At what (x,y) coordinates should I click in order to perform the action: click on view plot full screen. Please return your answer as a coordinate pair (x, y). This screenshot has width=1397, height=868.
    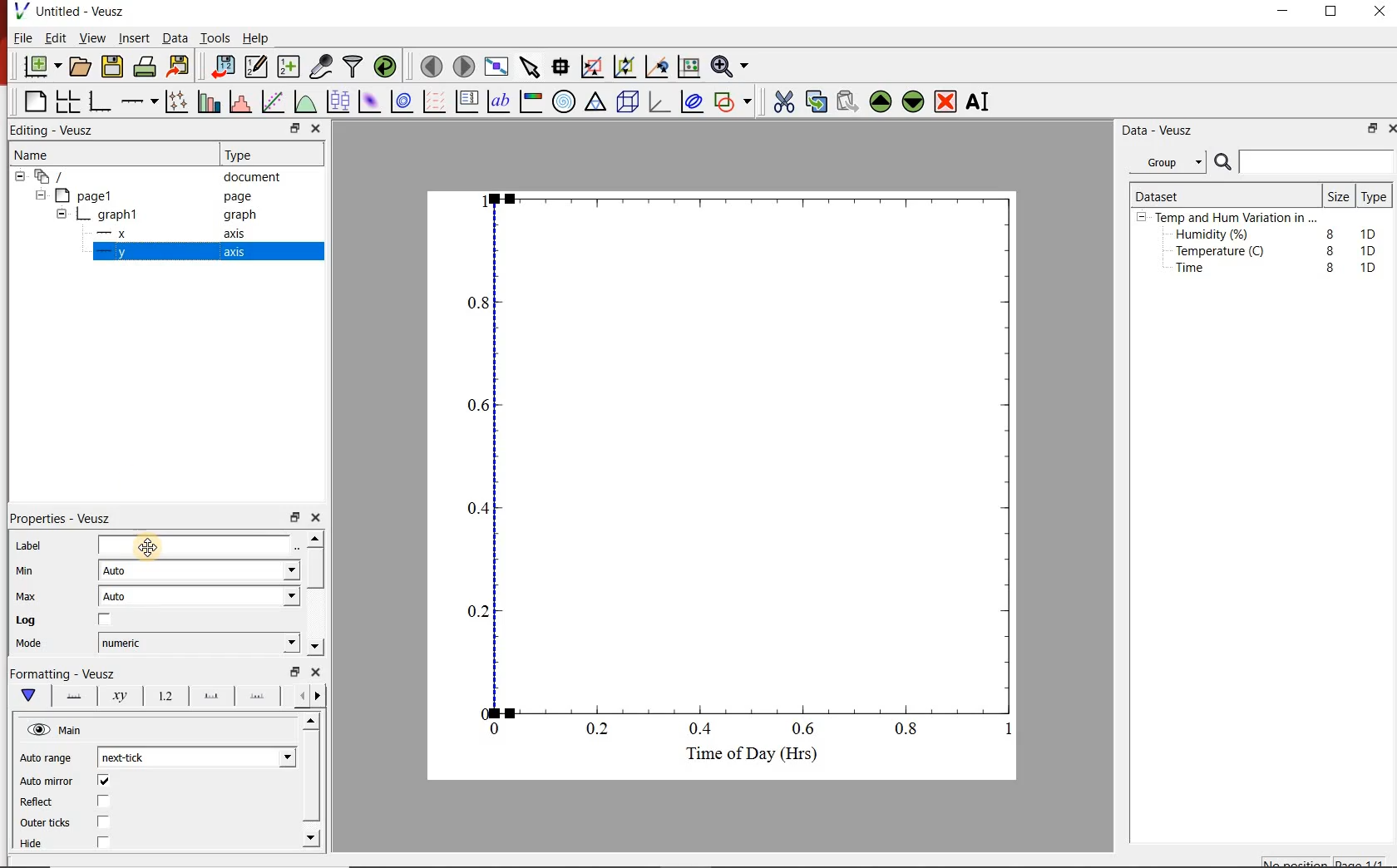
    Looking at the image, I should click on (497, 67).